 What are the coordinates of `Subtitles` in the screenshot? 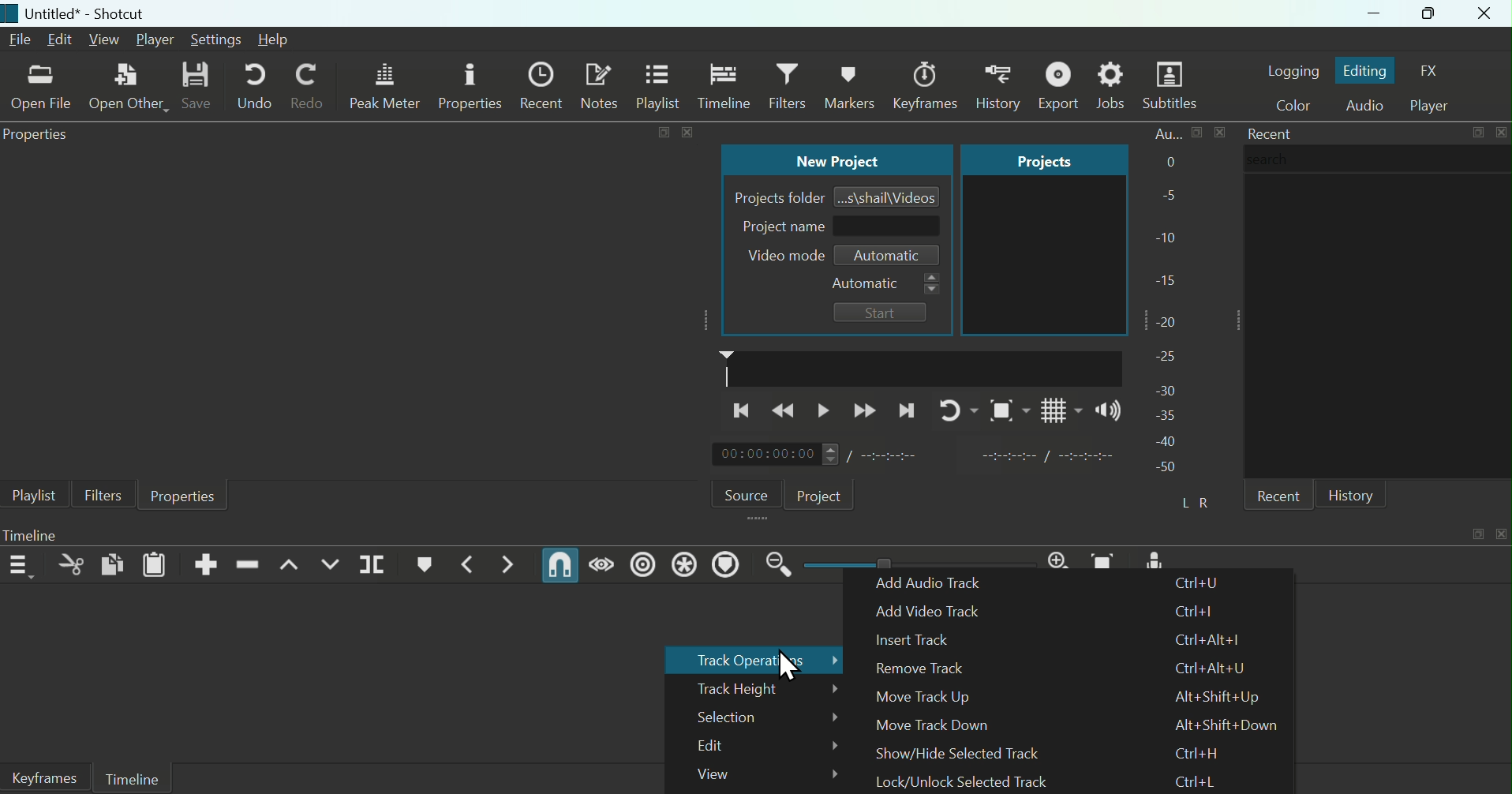 It's located at (1173, 86).